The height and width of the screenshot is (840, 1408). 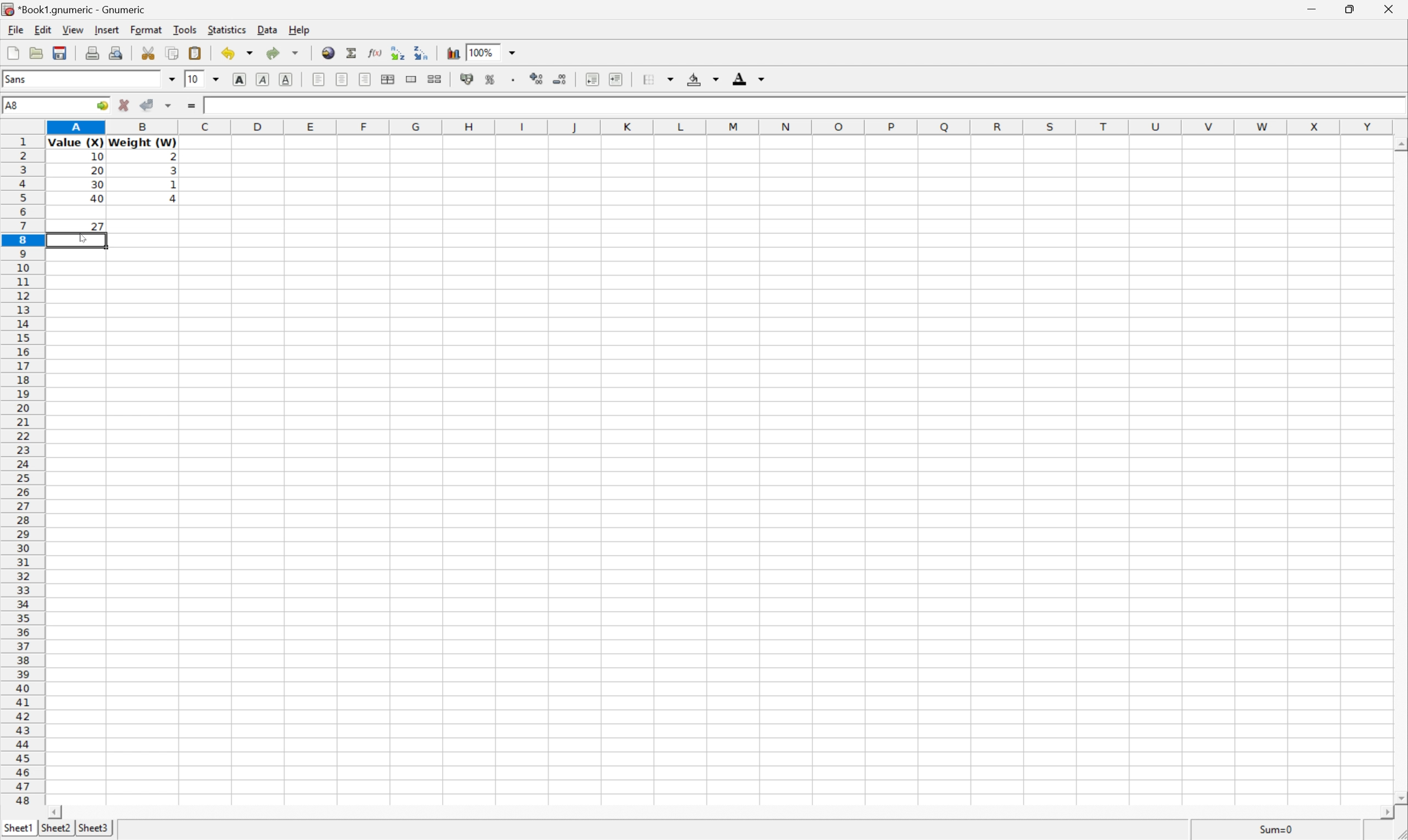 What do you see at coordinates (102, 105) in the screenshot?
I see `Go to` at bounding box center [102, 105].